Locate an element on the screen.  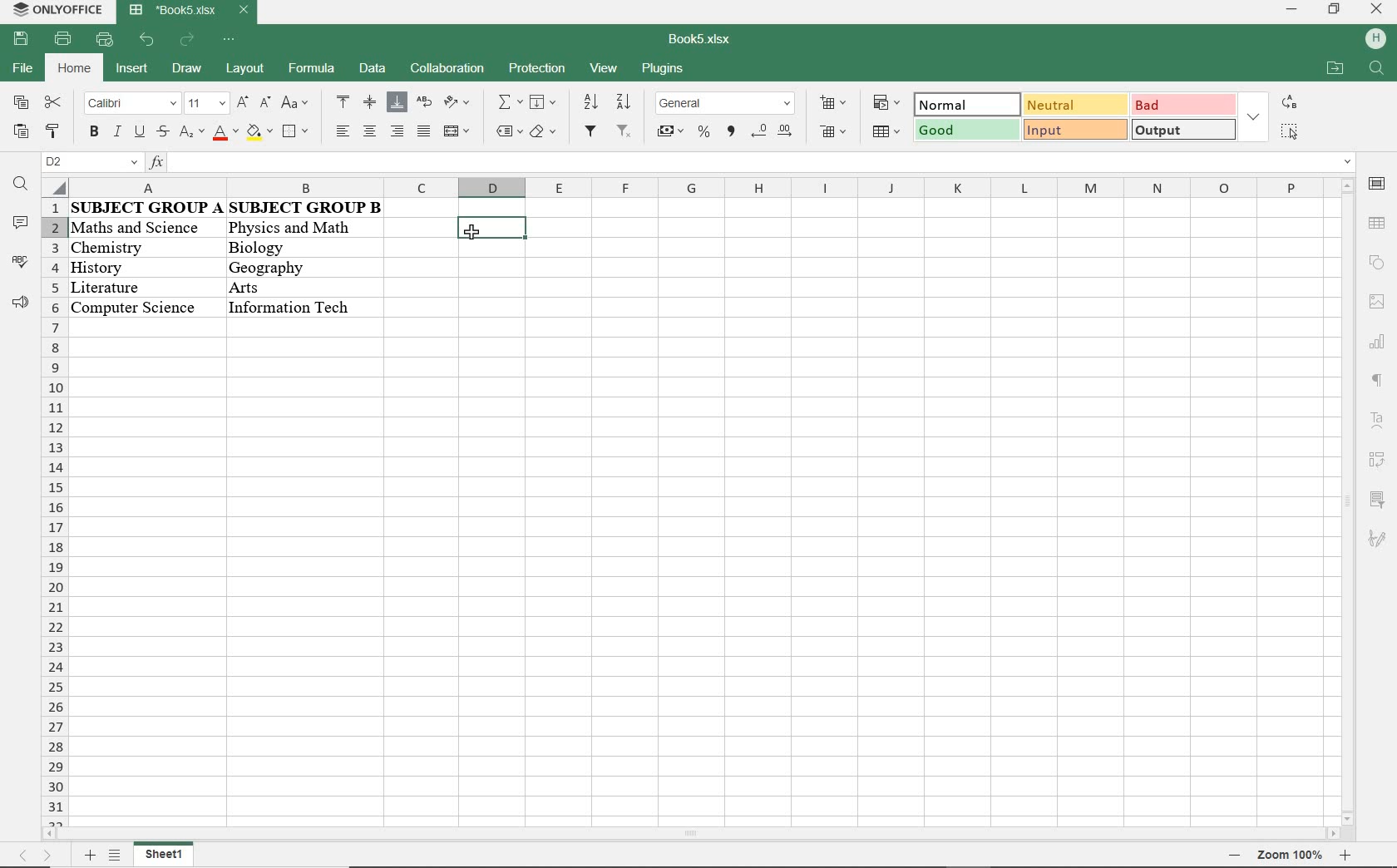
save is located at coordinates (21, 40).